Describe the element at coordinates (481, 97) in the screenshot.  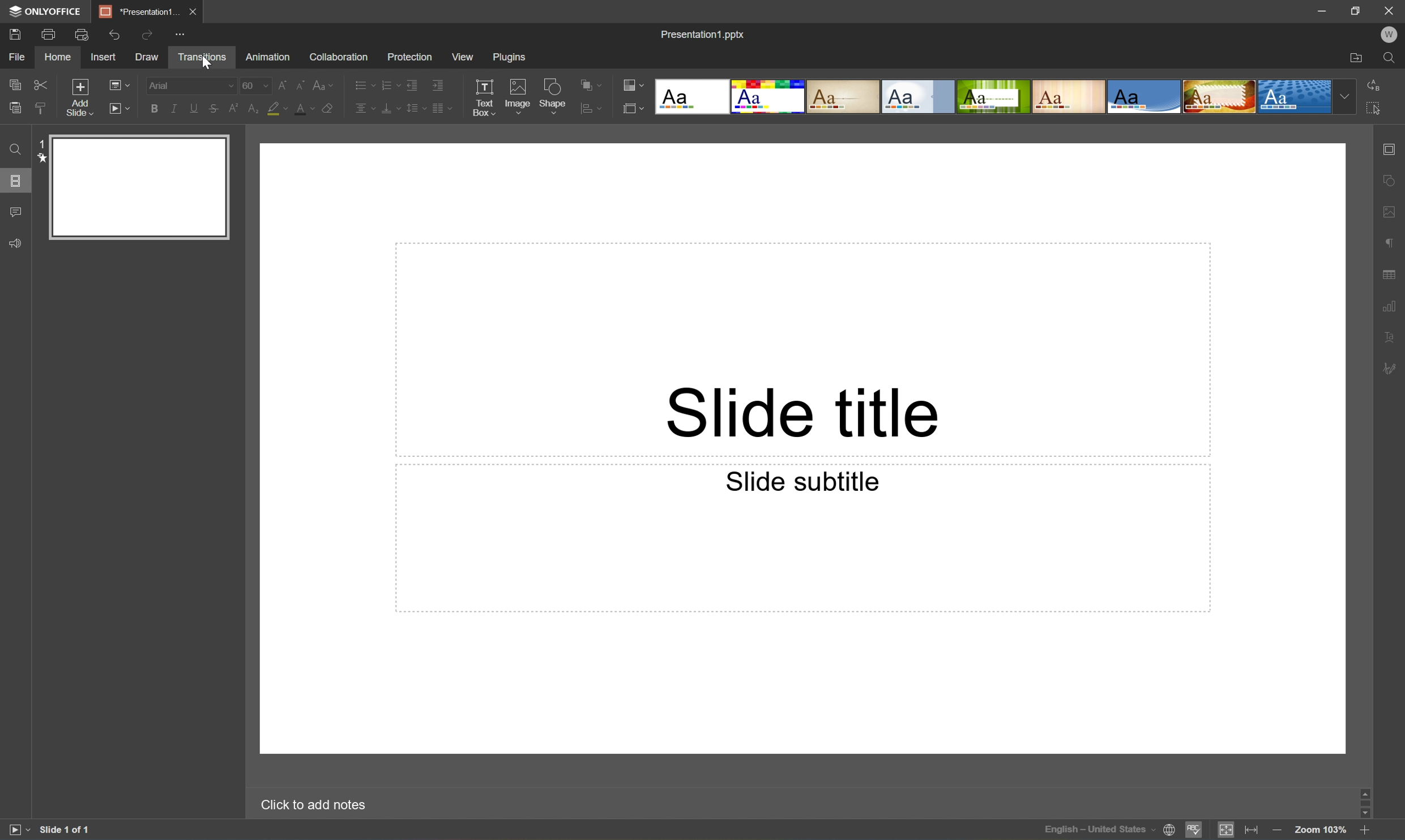
I see `Text Box` at that location.